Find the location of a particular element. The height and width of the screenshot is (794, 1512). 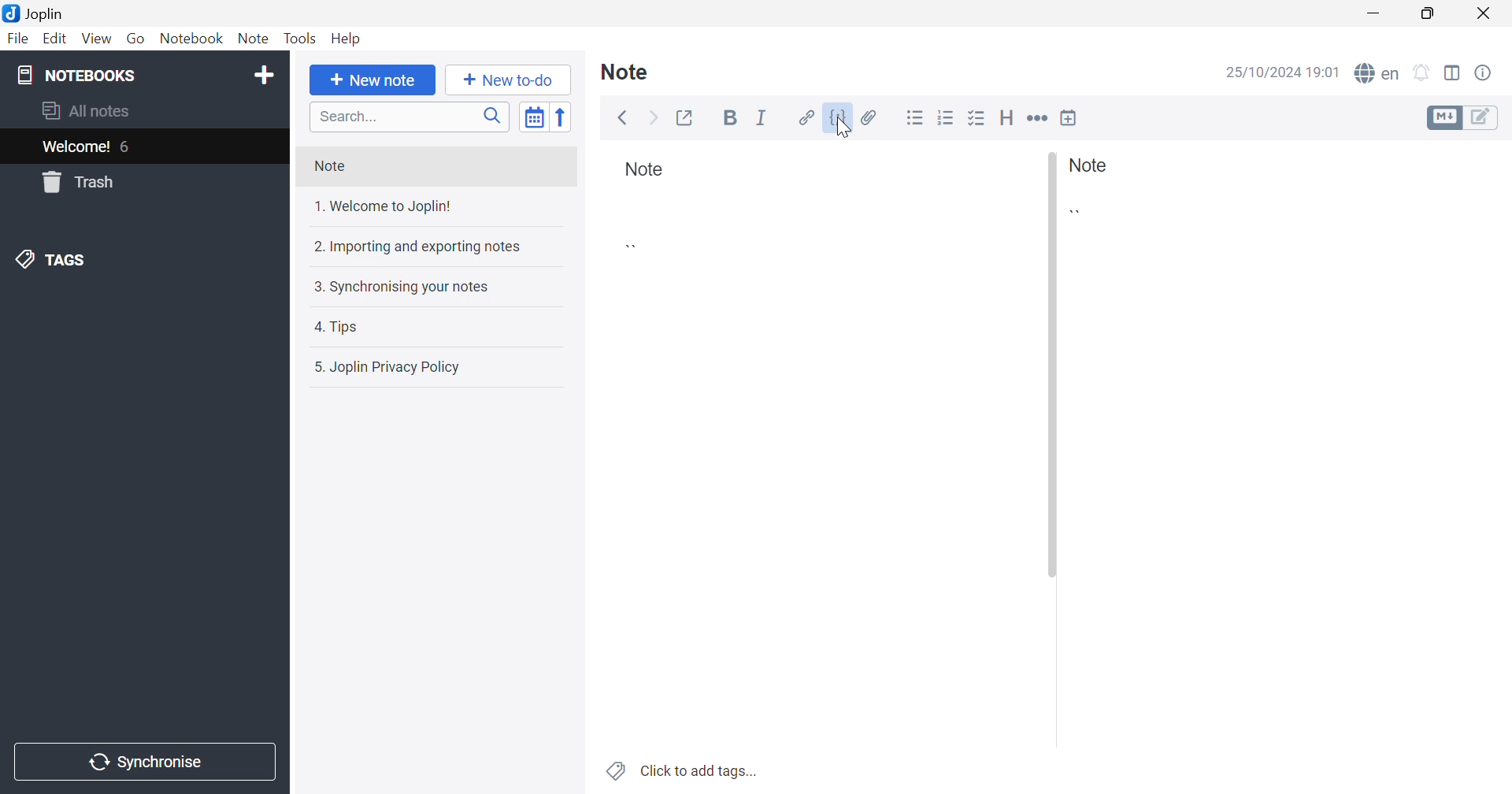

Help is located at coordinates (354, 39).